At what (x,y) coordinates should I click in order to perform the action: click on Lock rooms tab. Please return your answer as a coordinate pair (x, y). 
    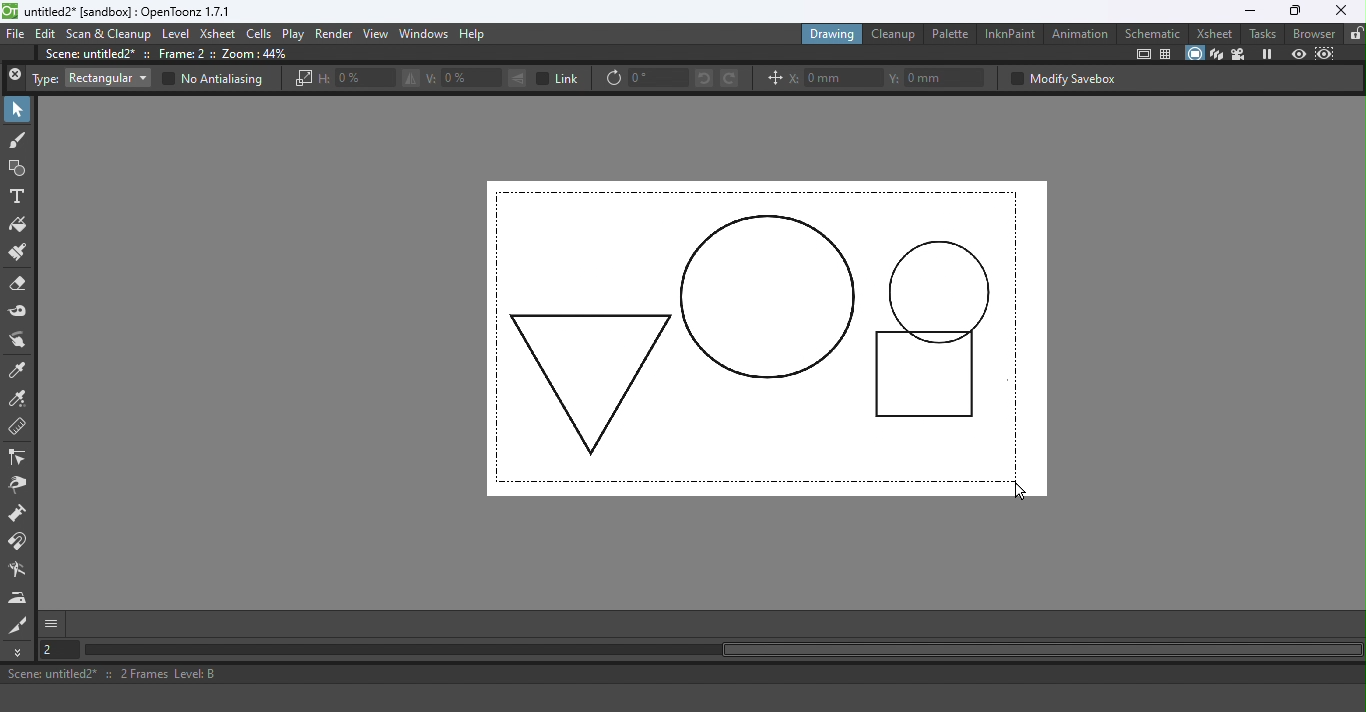
    Looking at the image, I should click on (1354, 34).